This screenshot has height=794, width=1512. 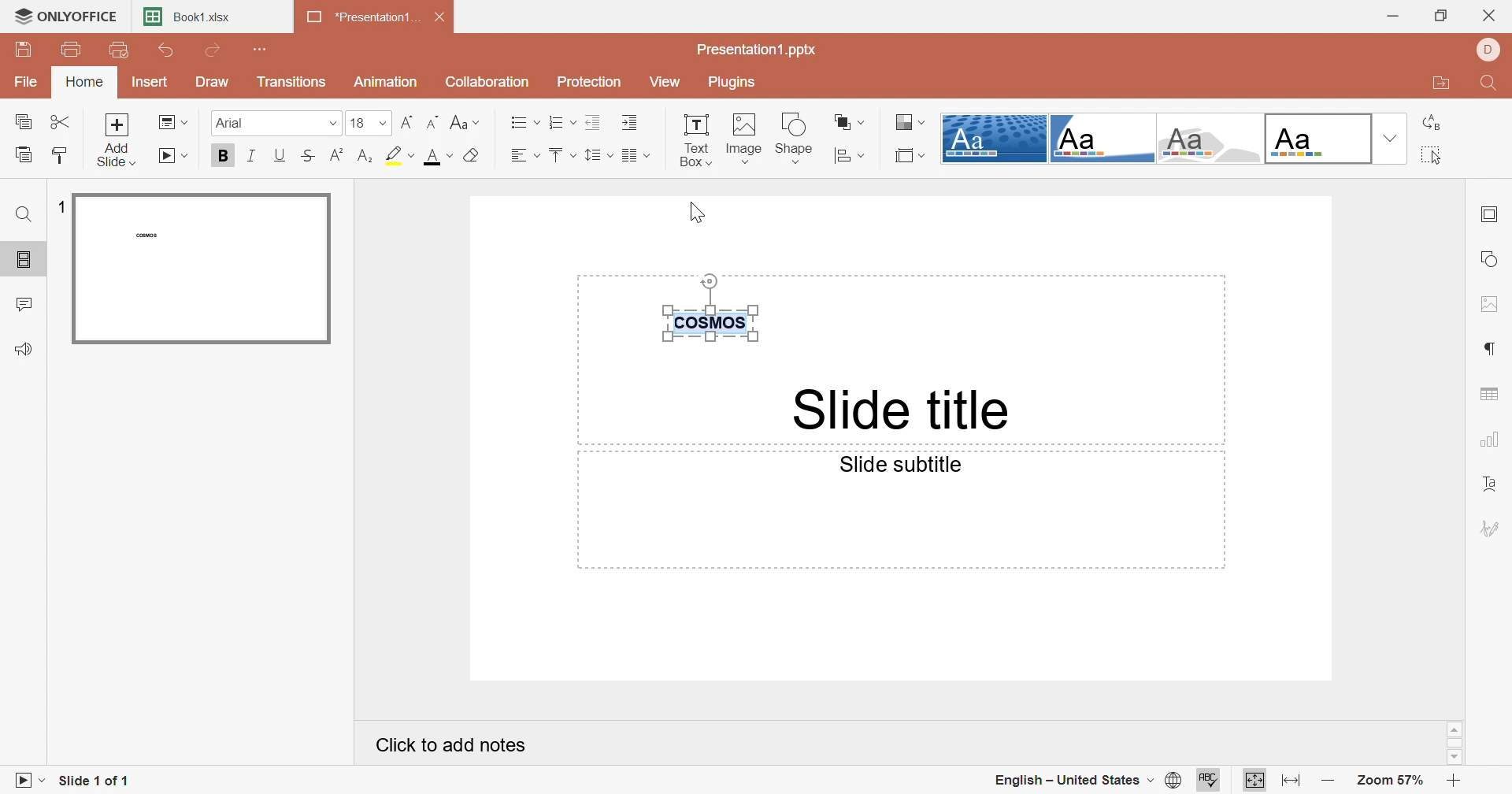 I want to click on Select slide size, so click(x=910, y=156).